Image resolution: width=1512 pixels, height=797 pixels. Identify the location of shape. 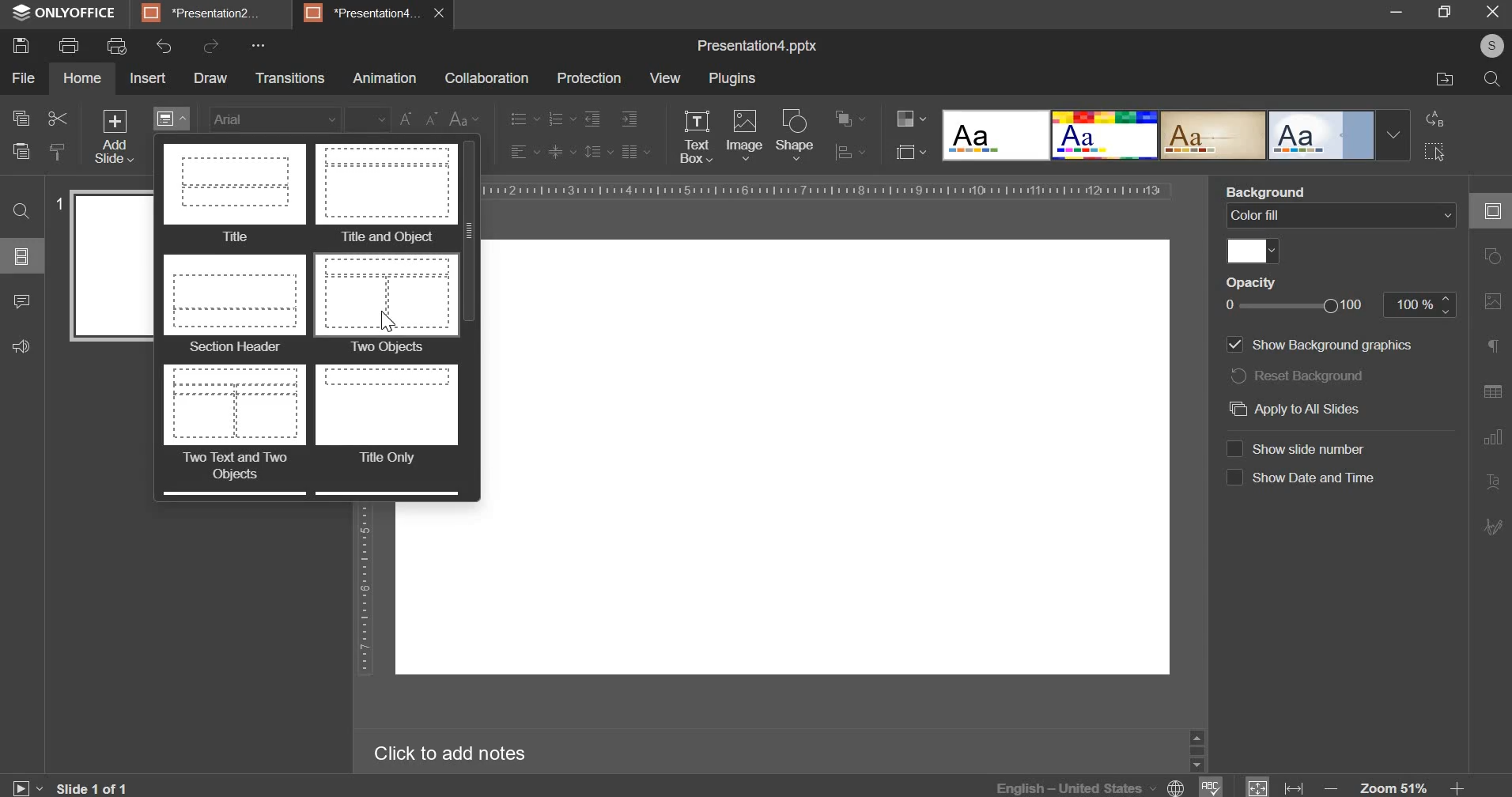
(796, 134).